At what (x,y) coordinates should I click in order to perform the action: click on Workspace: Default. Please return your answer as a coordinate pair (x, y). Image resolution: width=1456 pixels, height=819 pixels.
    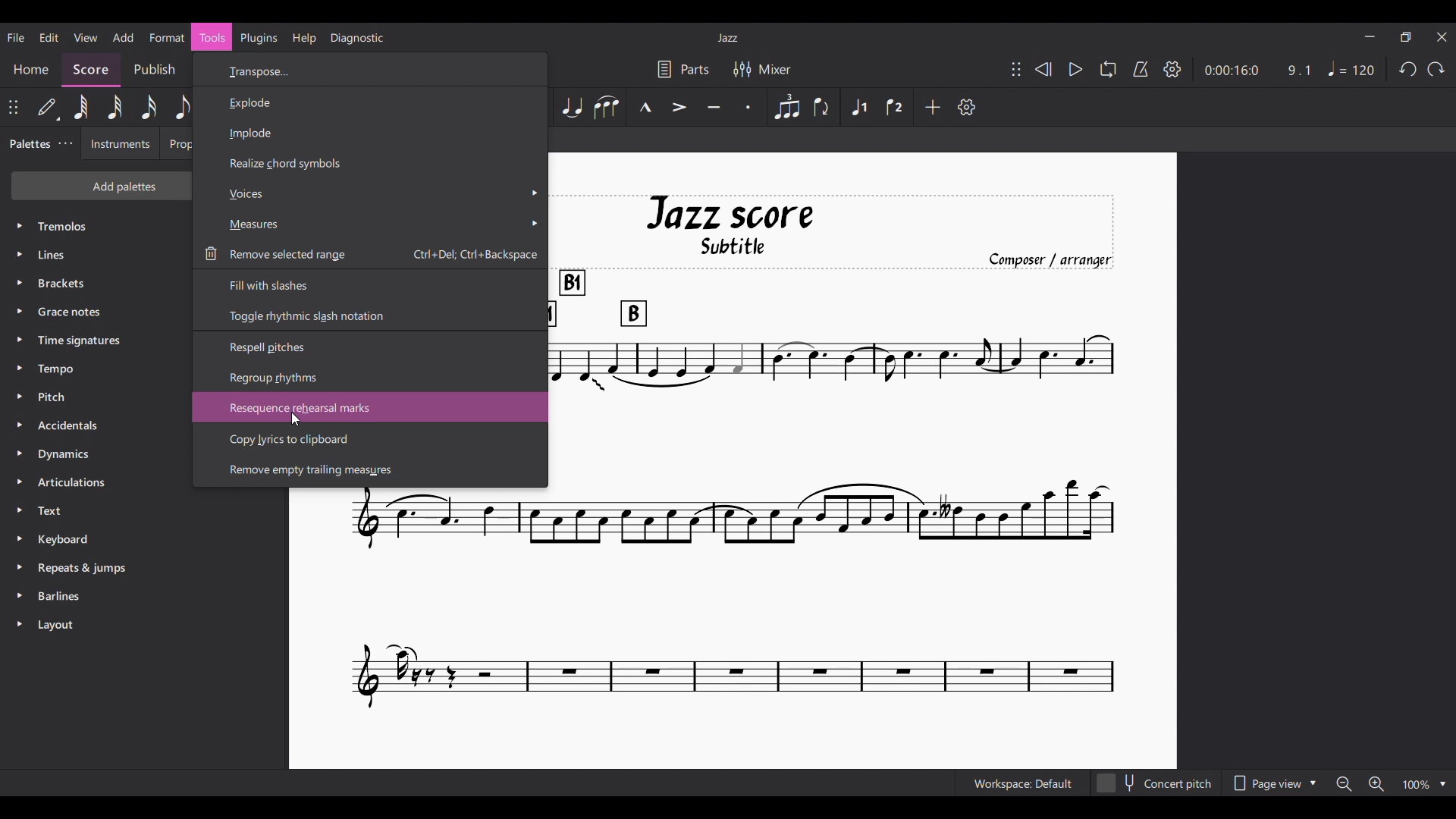
    Looking at the image, I should click on (1024, 783).